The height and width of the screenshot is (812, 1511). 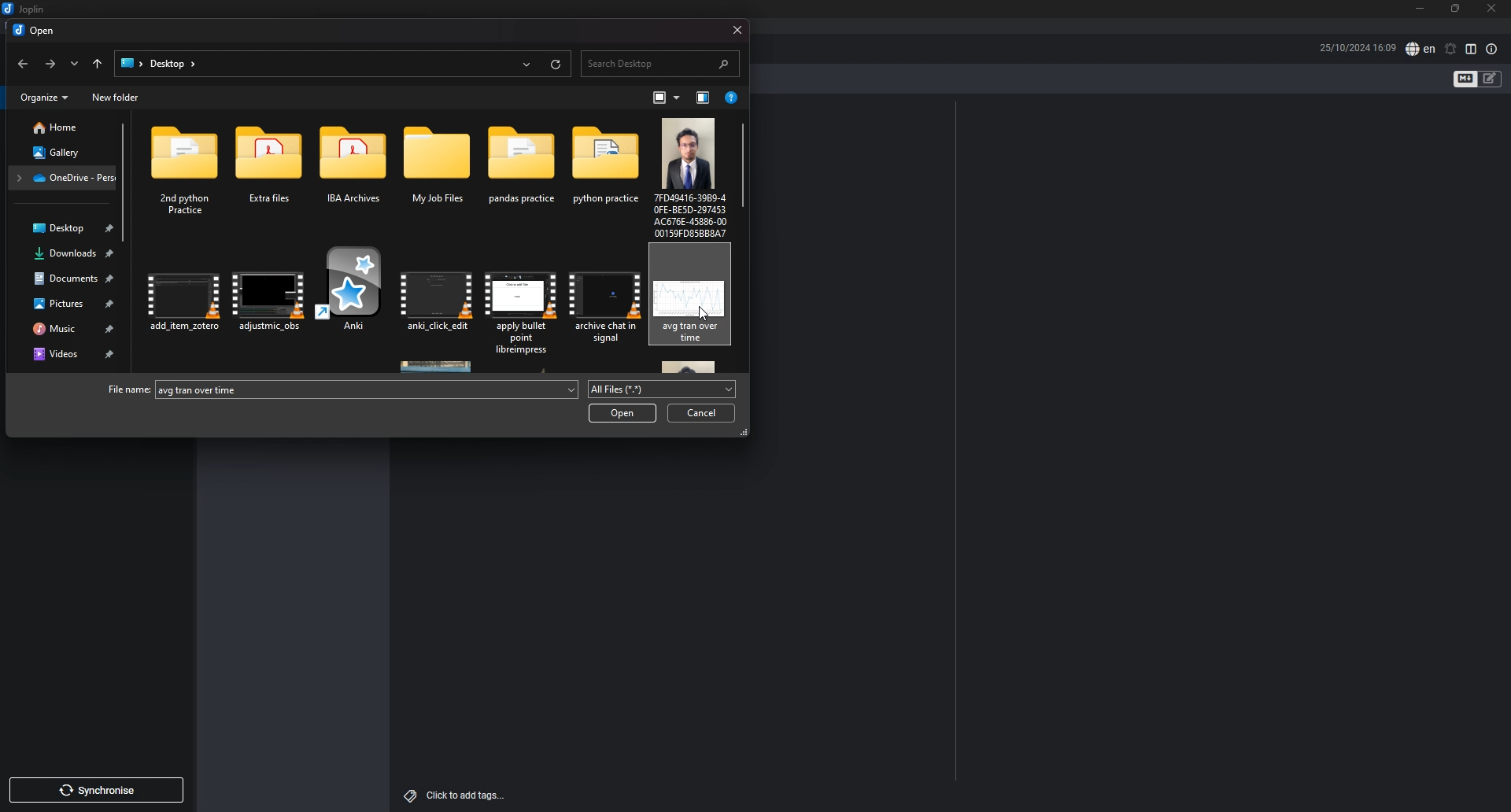 What do you see at coordinates (57, 127) in the screenshot?
I see `home` at bounding box center [57, 127].